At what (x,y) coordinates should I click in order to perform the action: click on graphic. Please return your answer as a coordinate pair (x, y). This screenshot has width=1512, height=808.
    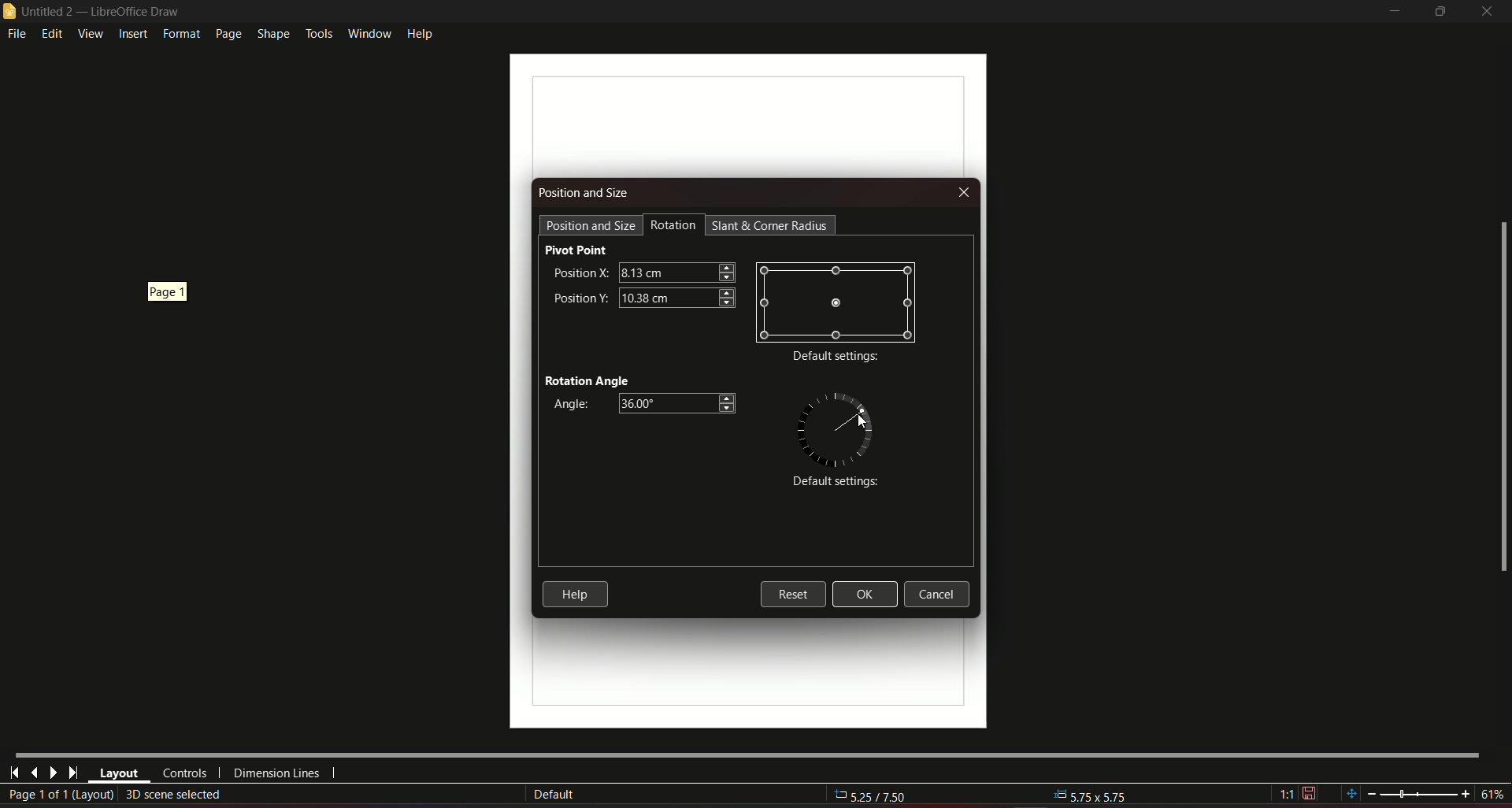
    Looking at the image, I should click on (836, 302).